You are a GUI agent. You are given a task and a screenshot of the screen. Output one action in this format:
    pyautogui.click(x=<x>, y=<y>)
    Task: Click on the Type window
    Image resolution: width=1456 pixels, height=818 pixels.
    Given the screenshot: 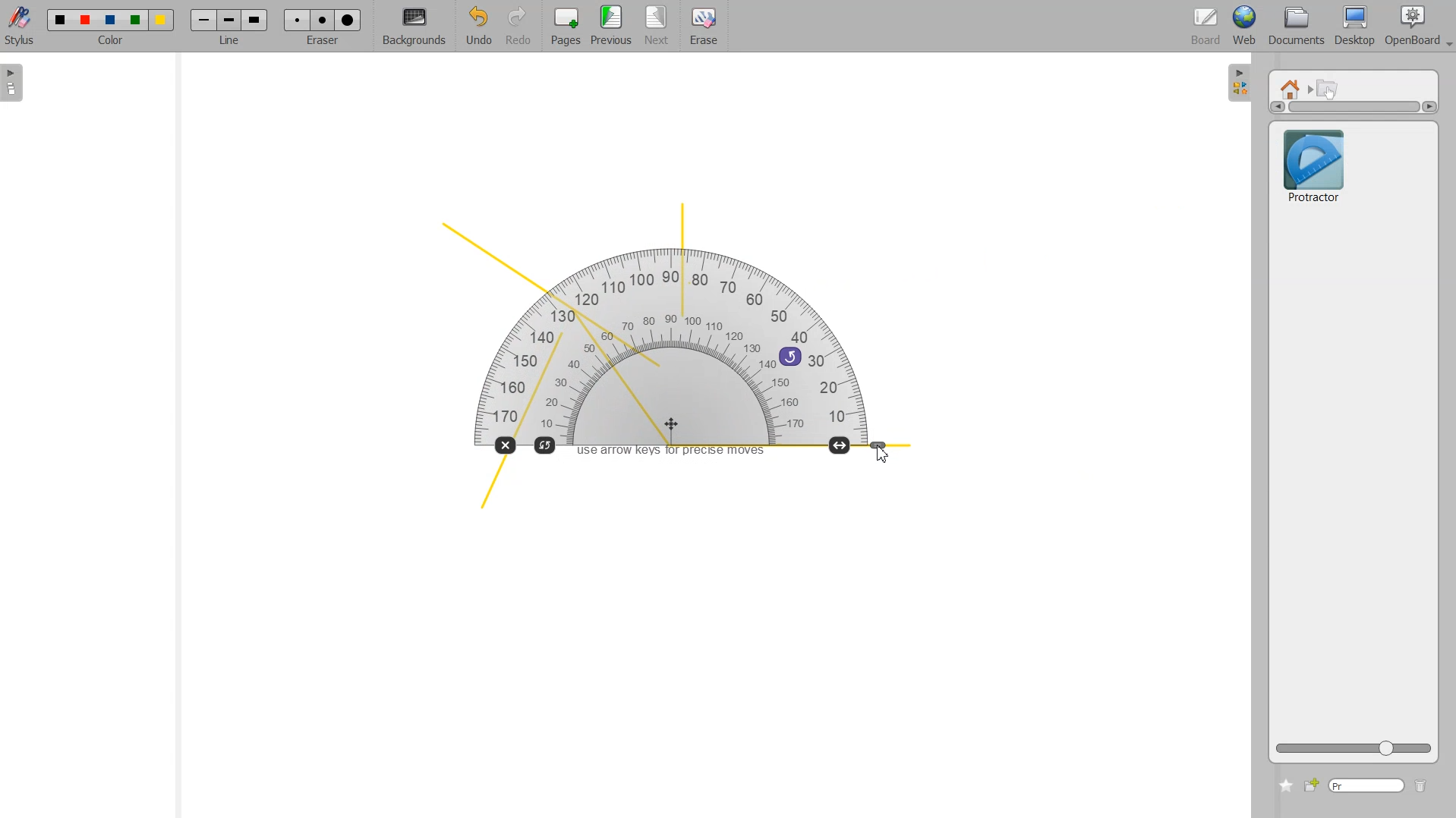 What is the action you would take?
    pyautogui.click(x=1366, y=786)
    